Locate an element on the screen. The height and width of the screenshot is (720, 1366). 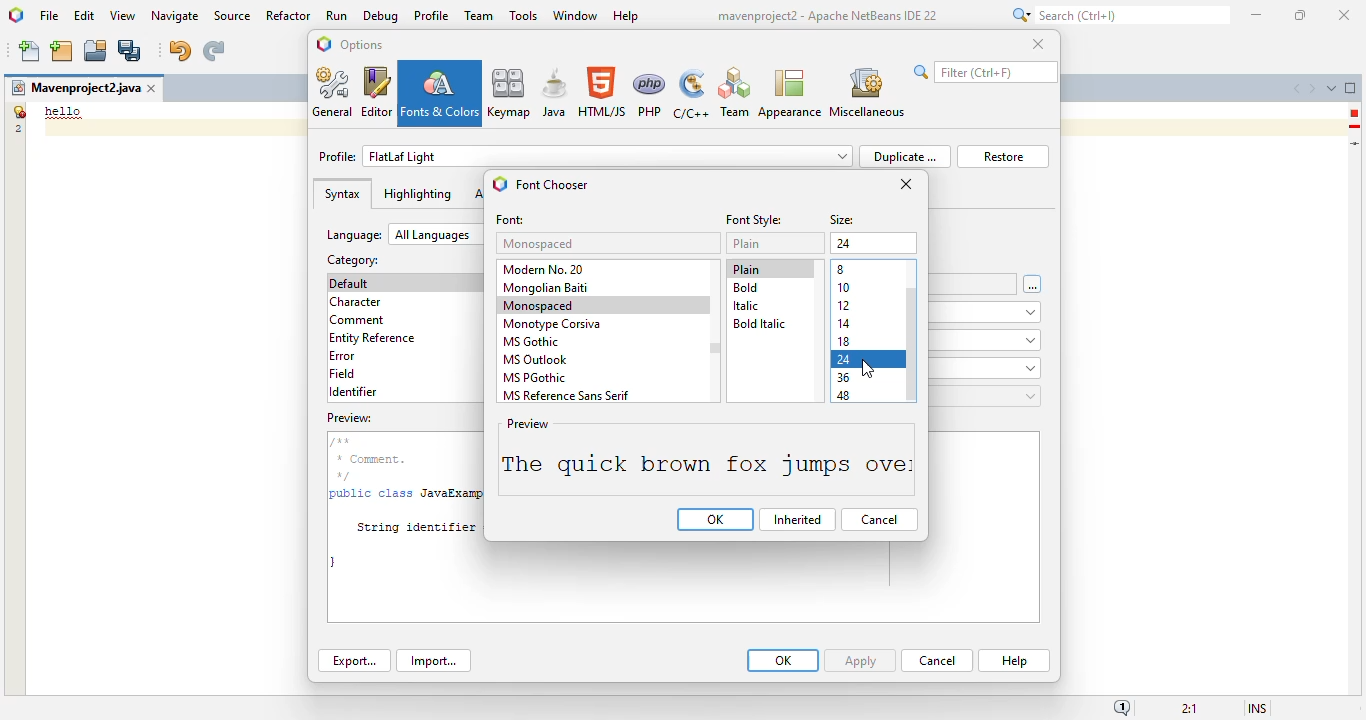
team is located at coordinates (479, 15).